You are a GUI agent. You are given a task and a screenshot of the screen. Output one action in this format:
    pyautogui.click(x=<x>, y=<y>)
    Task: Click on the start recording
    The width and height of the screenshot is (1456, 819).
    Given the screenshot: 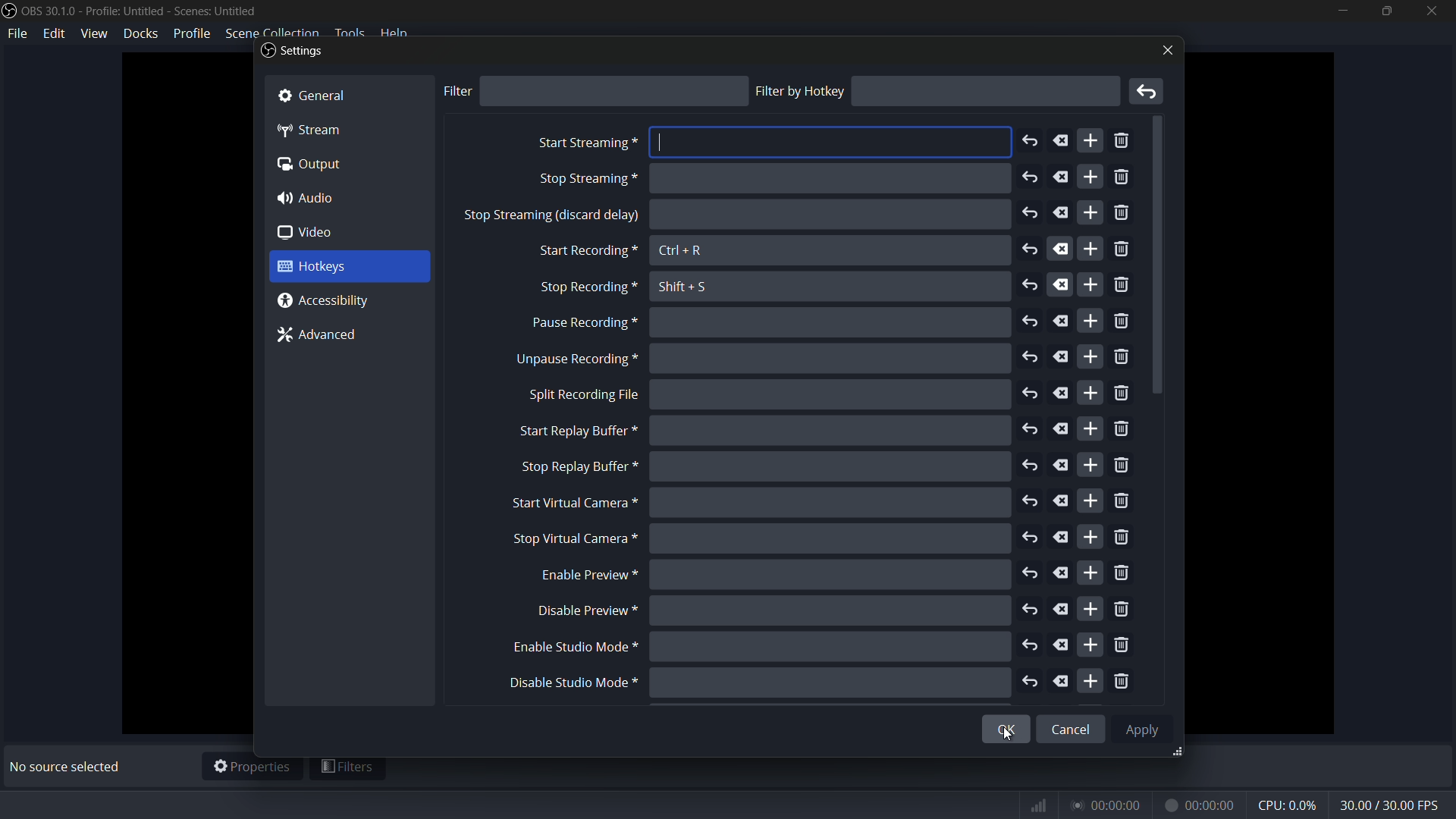 What is the action you would take?
    pyautogui.click(x=585, y=252)
    